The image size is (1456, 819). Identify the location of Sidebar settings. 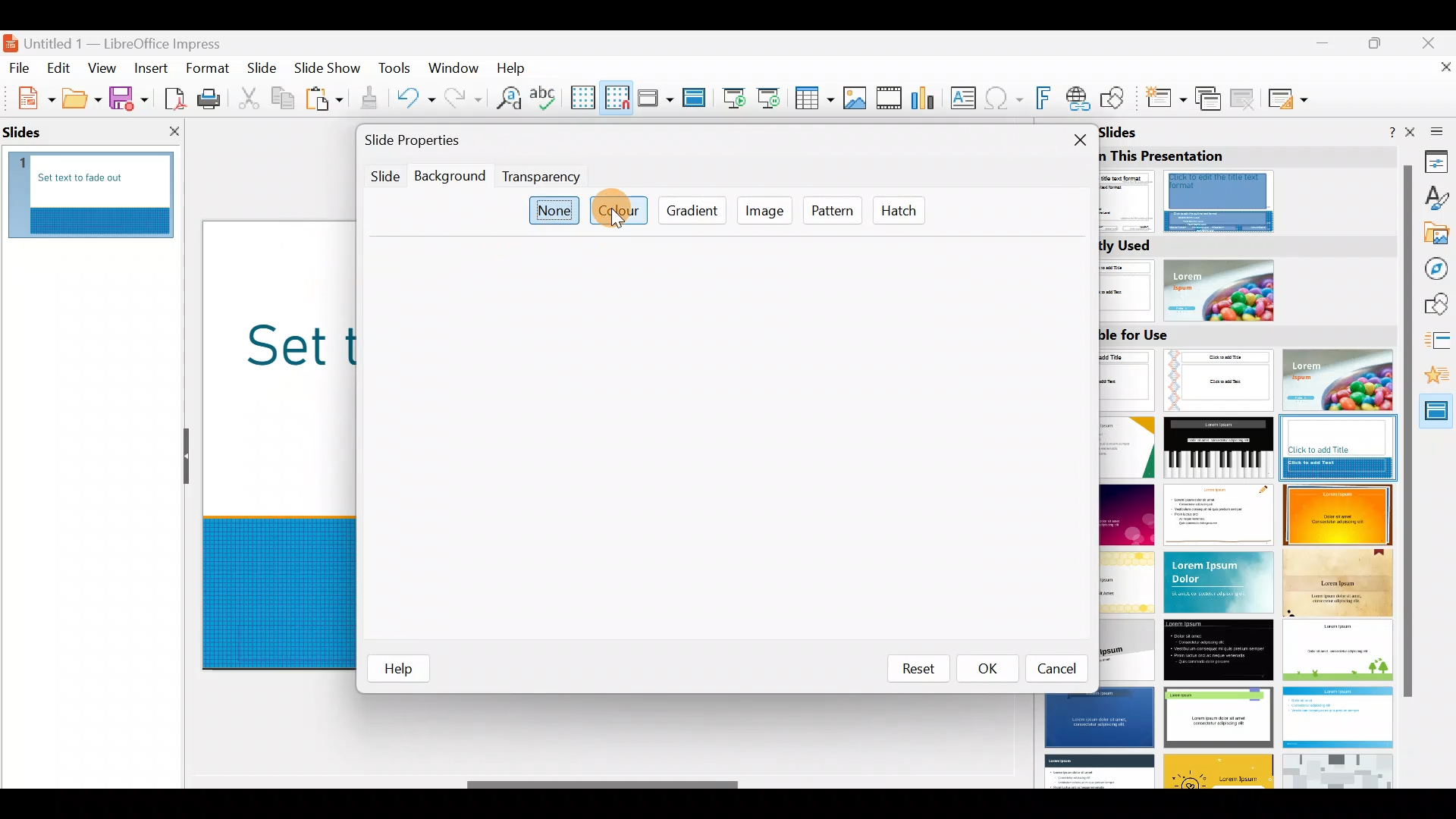
(1434, 130).